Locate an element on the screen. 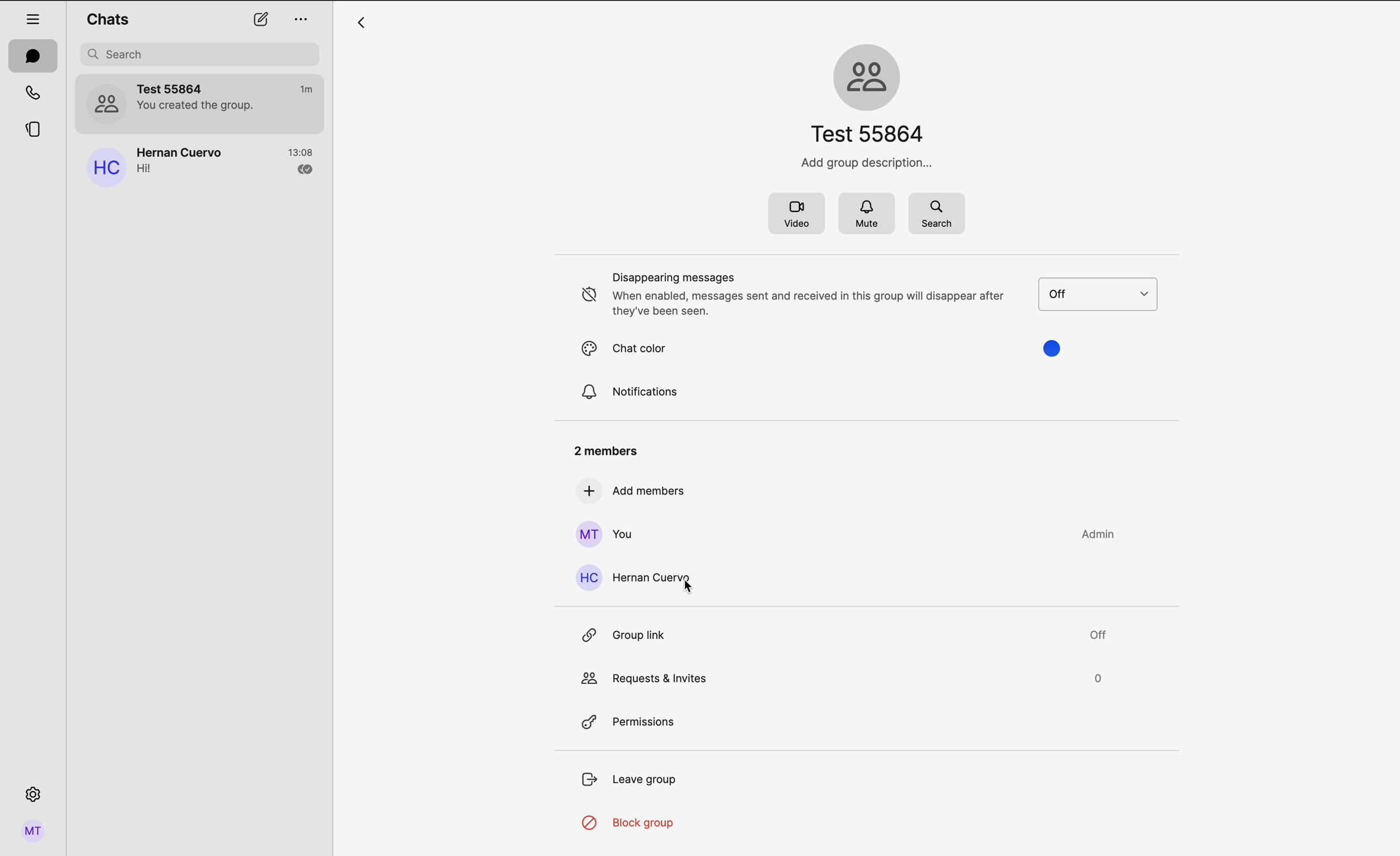  settings is located at coordinates (33, 797).